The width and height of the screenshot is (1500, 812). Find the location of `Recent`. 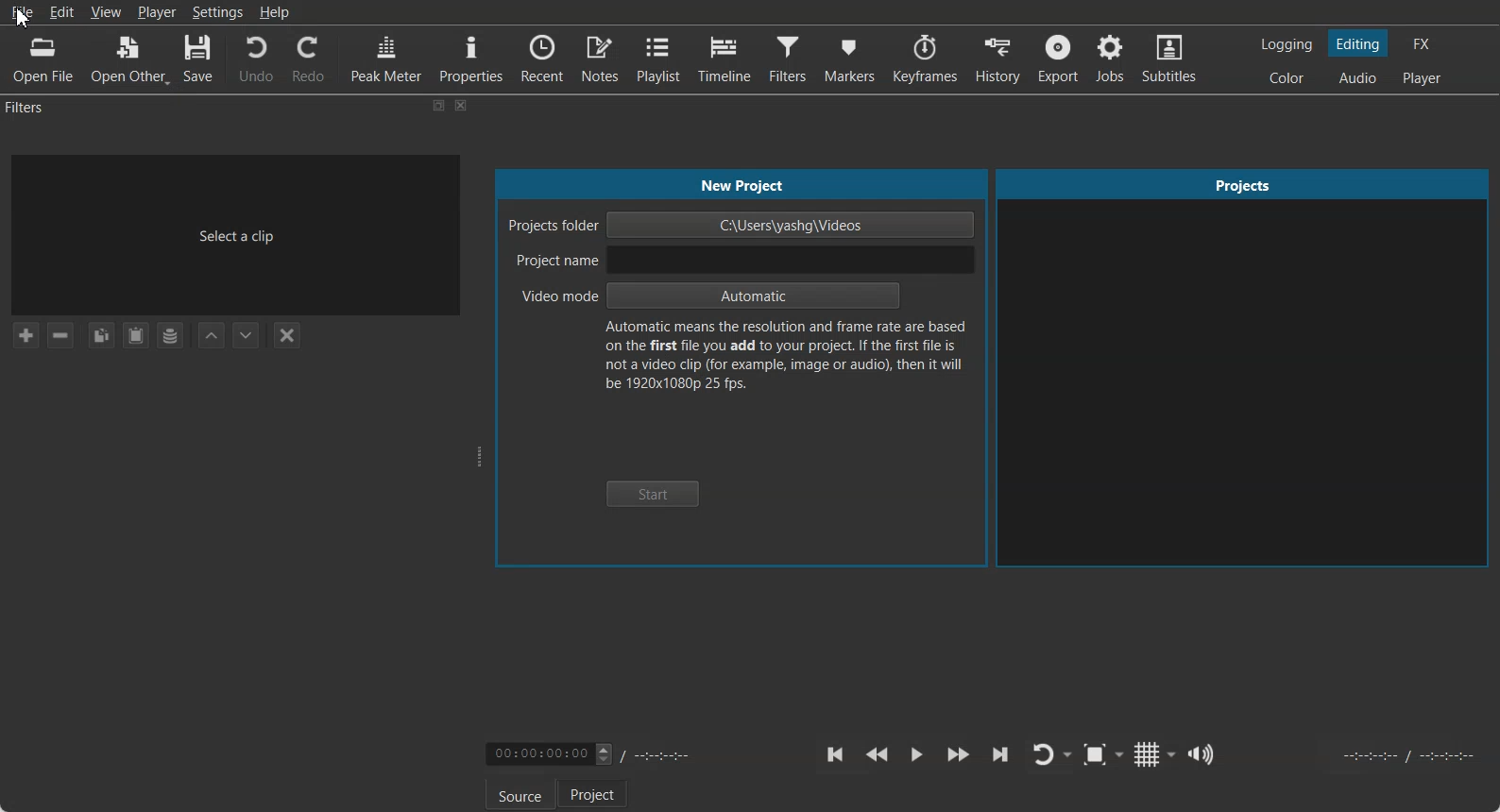

Recent is located at coordinates (542, 57).